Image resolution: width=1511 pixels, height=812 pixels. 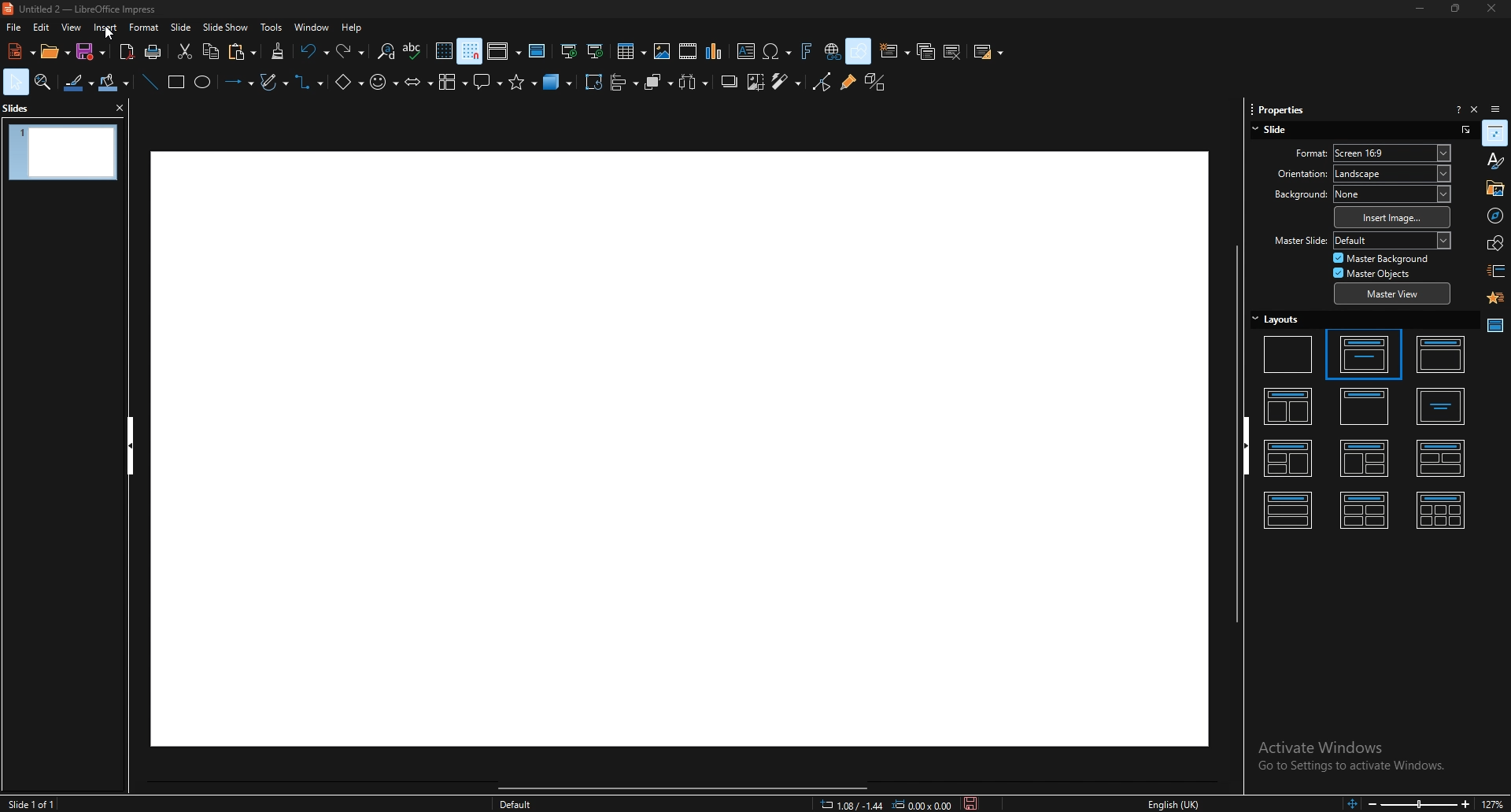 What do you see at coordinates (488, 81) in the screenshot?
I see `callout shapes` at bounding box center [488, 81].